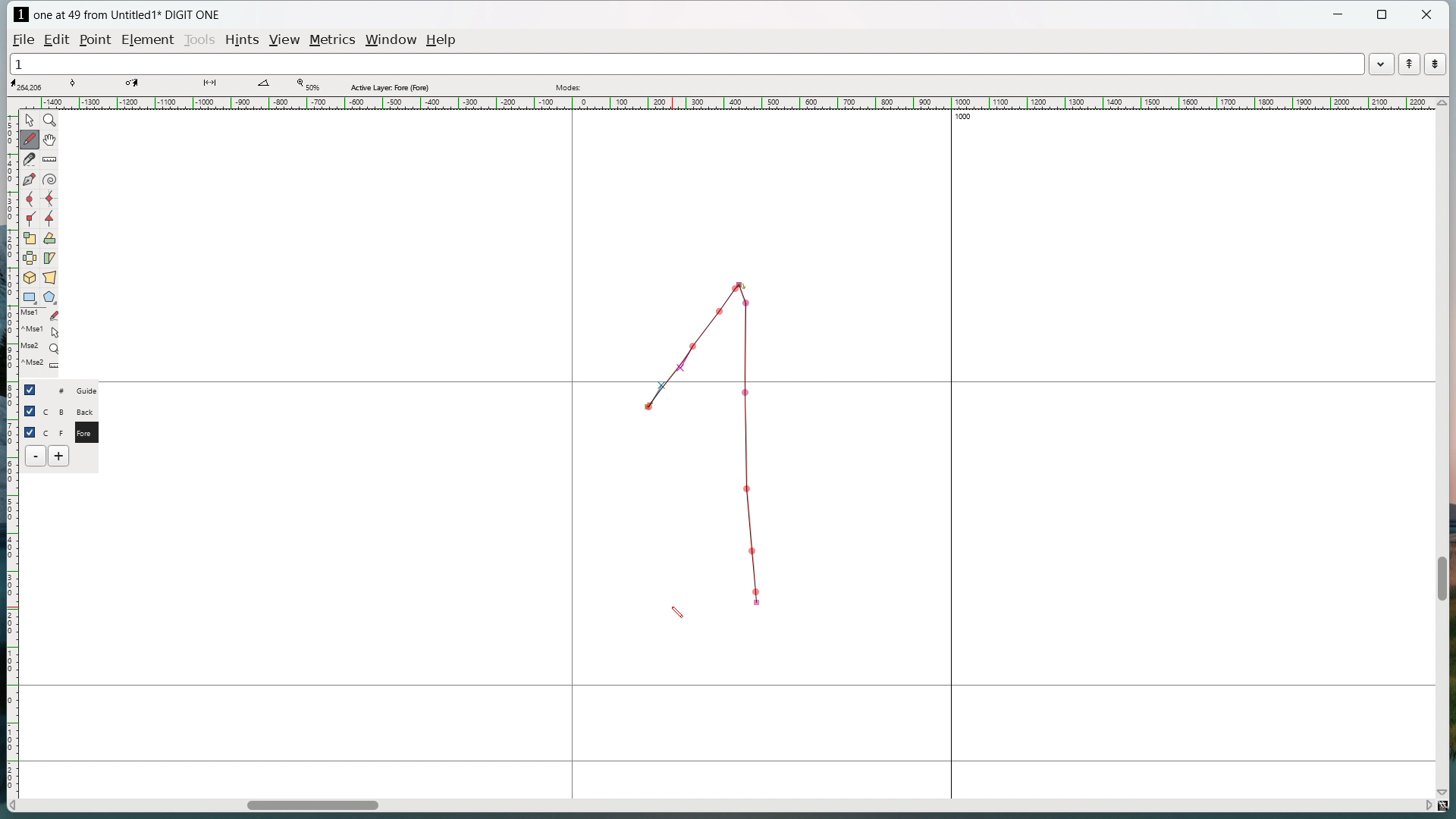  What do you see at coordinates (72, 431) in the screenshot?
I see `C F Fore` at bounding box center [72, 431].